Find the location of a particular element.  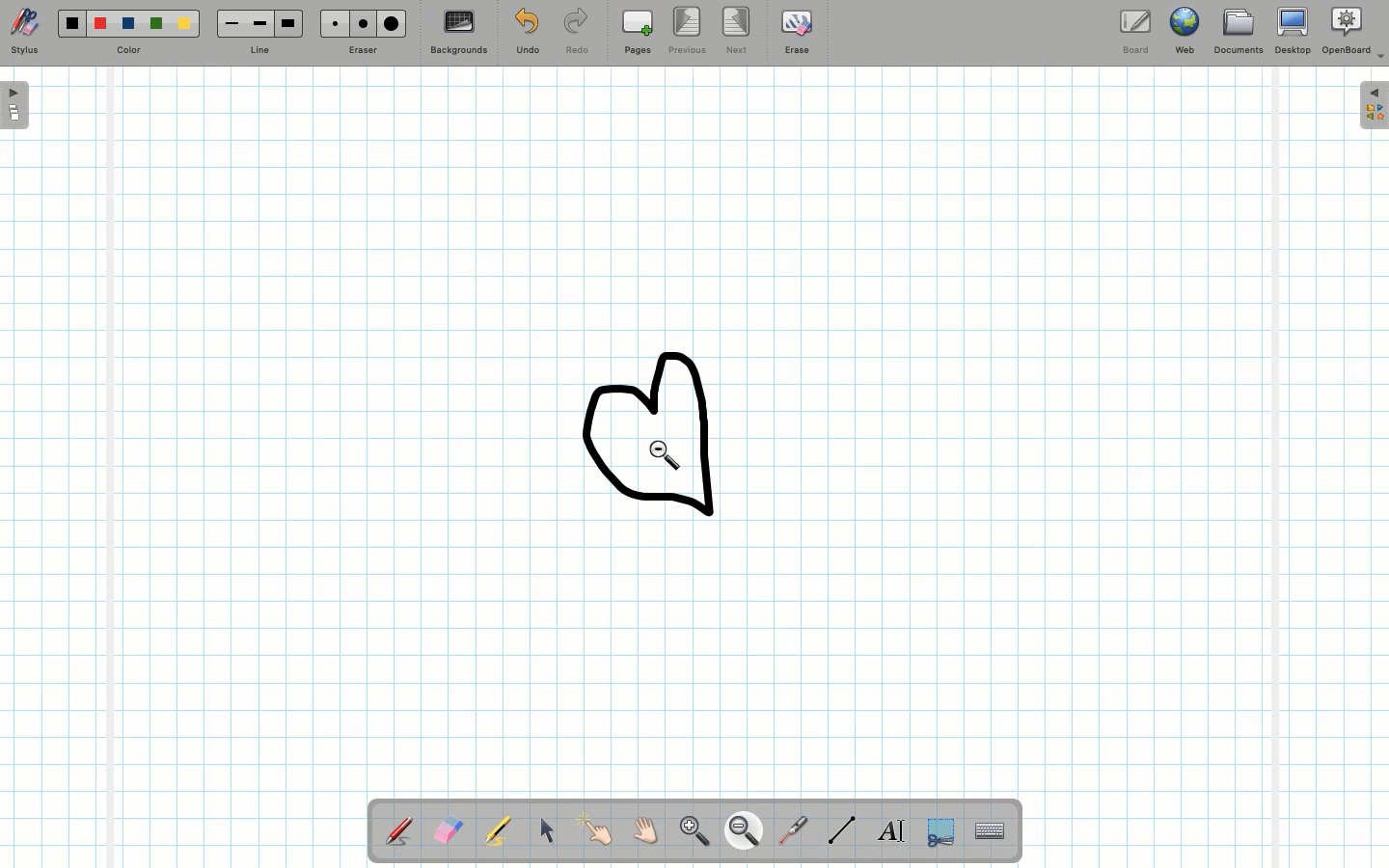

Previous is located at coordinates (685, 31).